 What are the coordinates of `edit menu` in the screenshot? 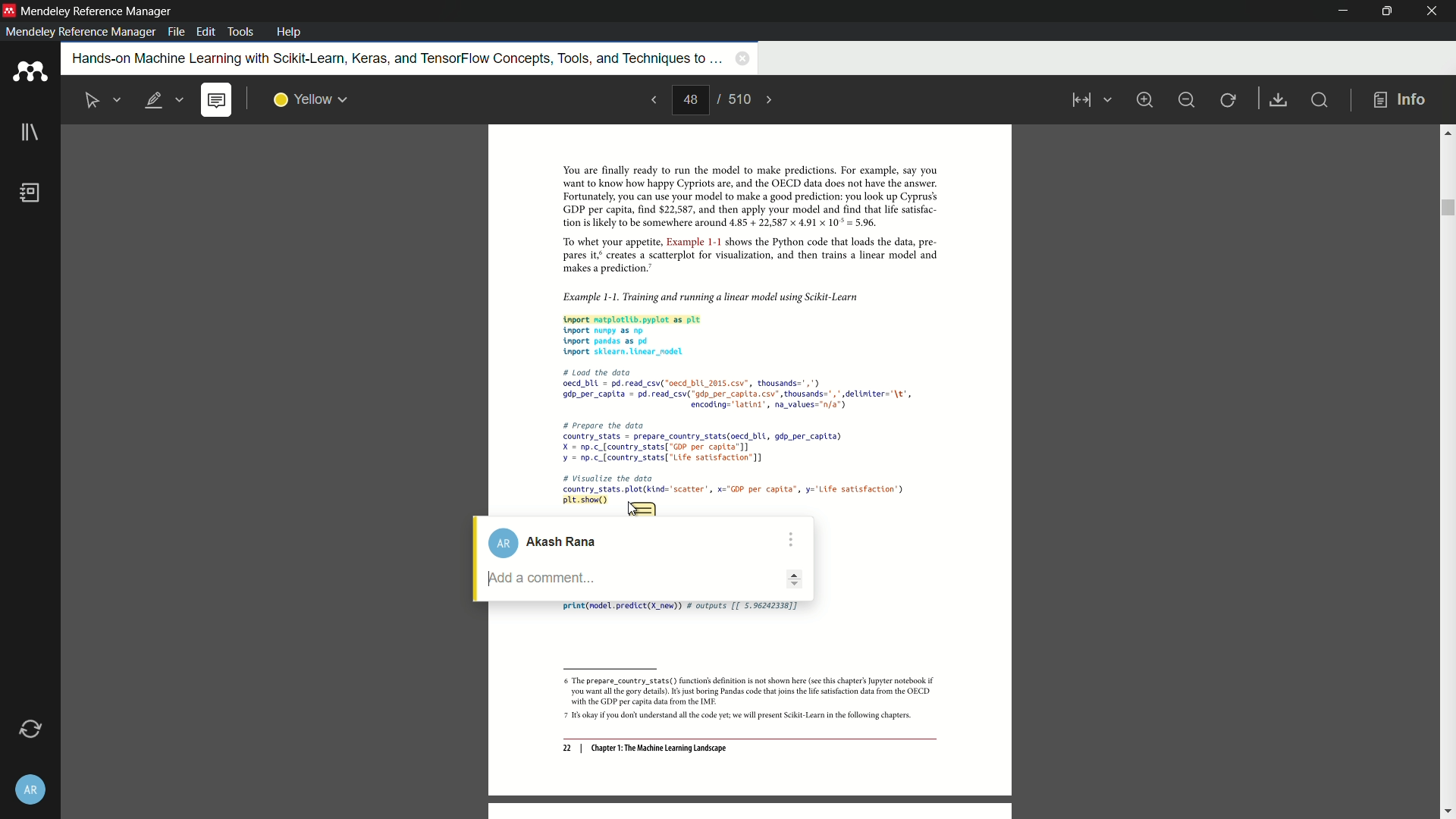 It's located at (208, 32).